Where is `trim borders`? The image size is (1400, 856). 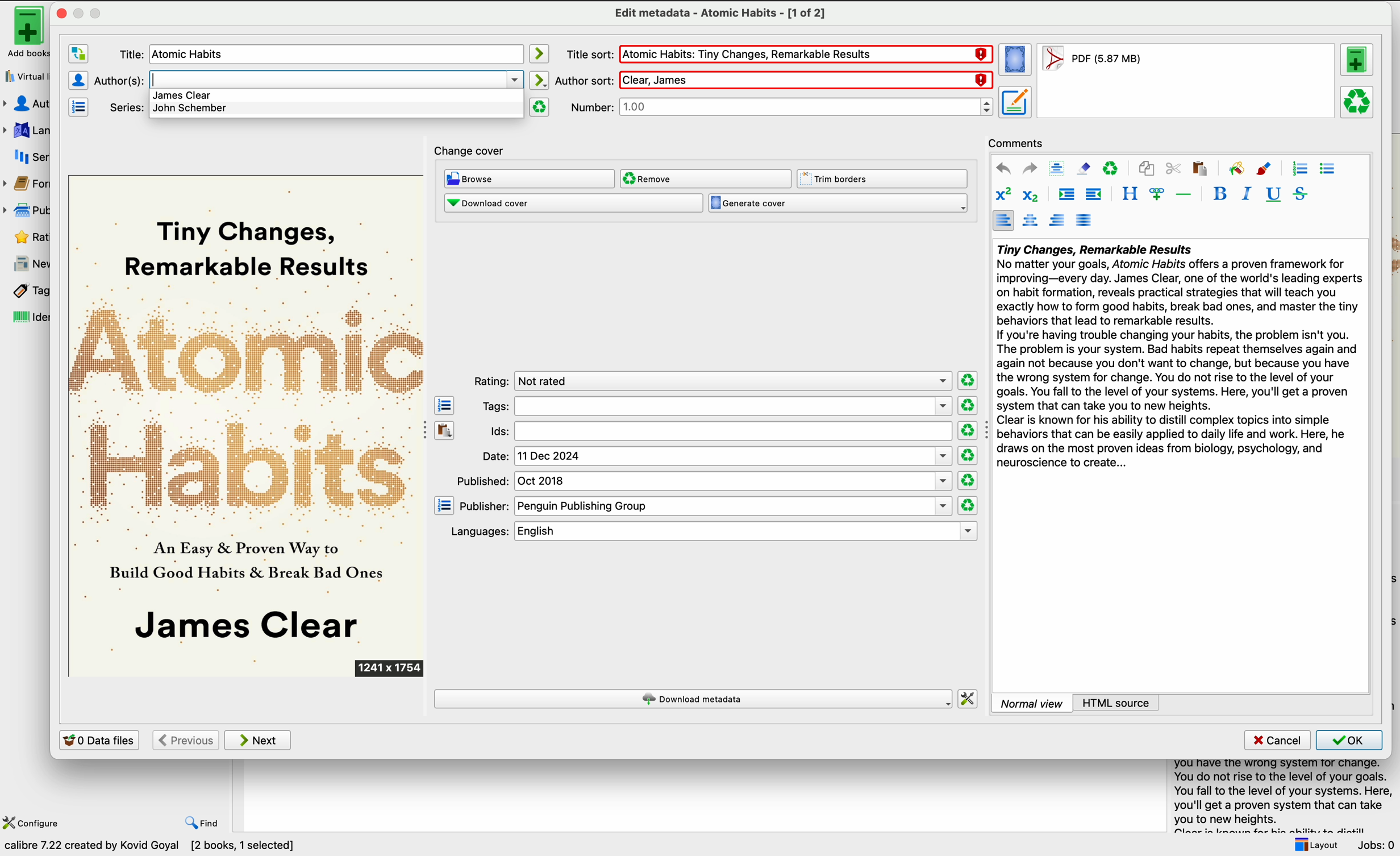
trim borders is located at coordinates (884, 178).